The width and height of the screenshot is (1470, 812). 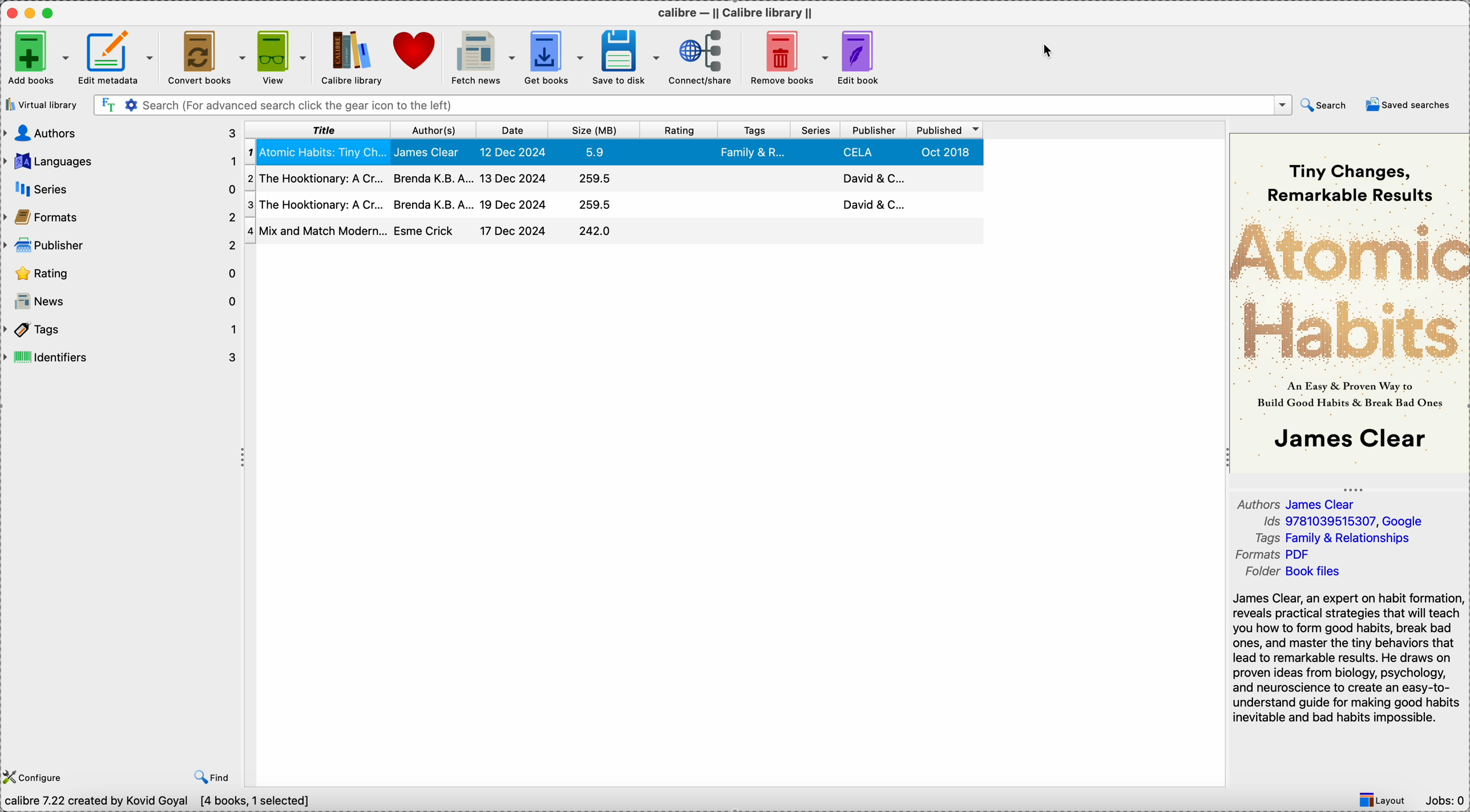 What do you see at coordinates (1048, 51) in the screenshot?
I see `cursor` at bounding box center [1048, 51].